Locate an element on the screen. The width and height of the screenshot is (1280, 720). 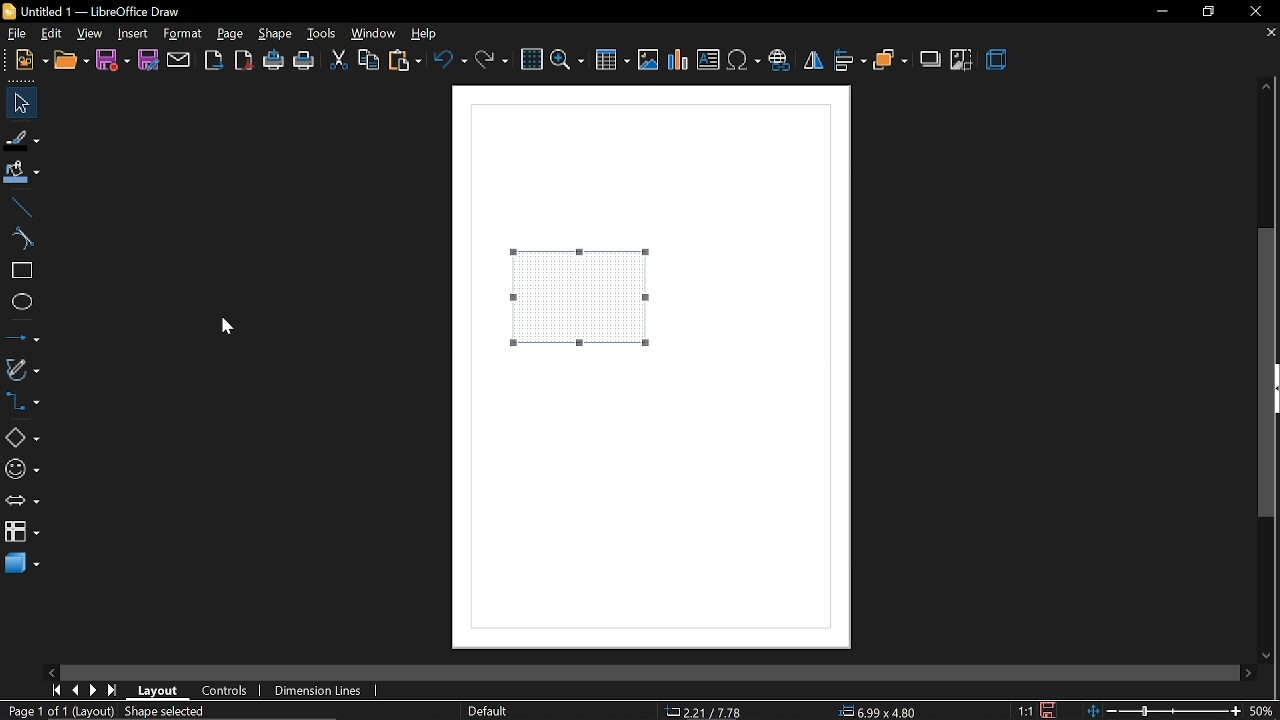
go first page is located at coordinates (54, 690).